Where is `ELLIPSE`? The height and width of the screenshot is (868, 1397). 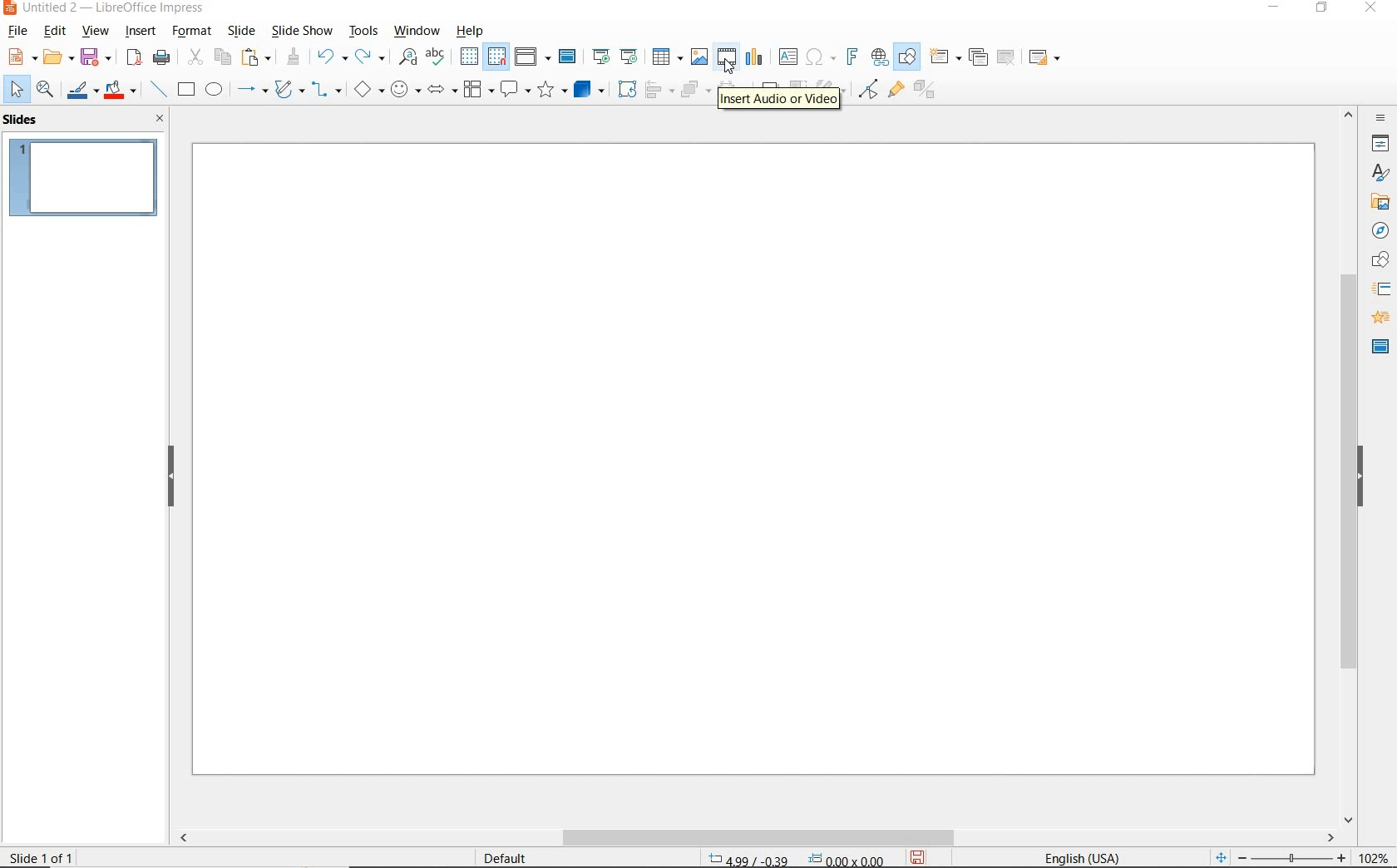
ELLIPSE is located at coordinates (215, 91).